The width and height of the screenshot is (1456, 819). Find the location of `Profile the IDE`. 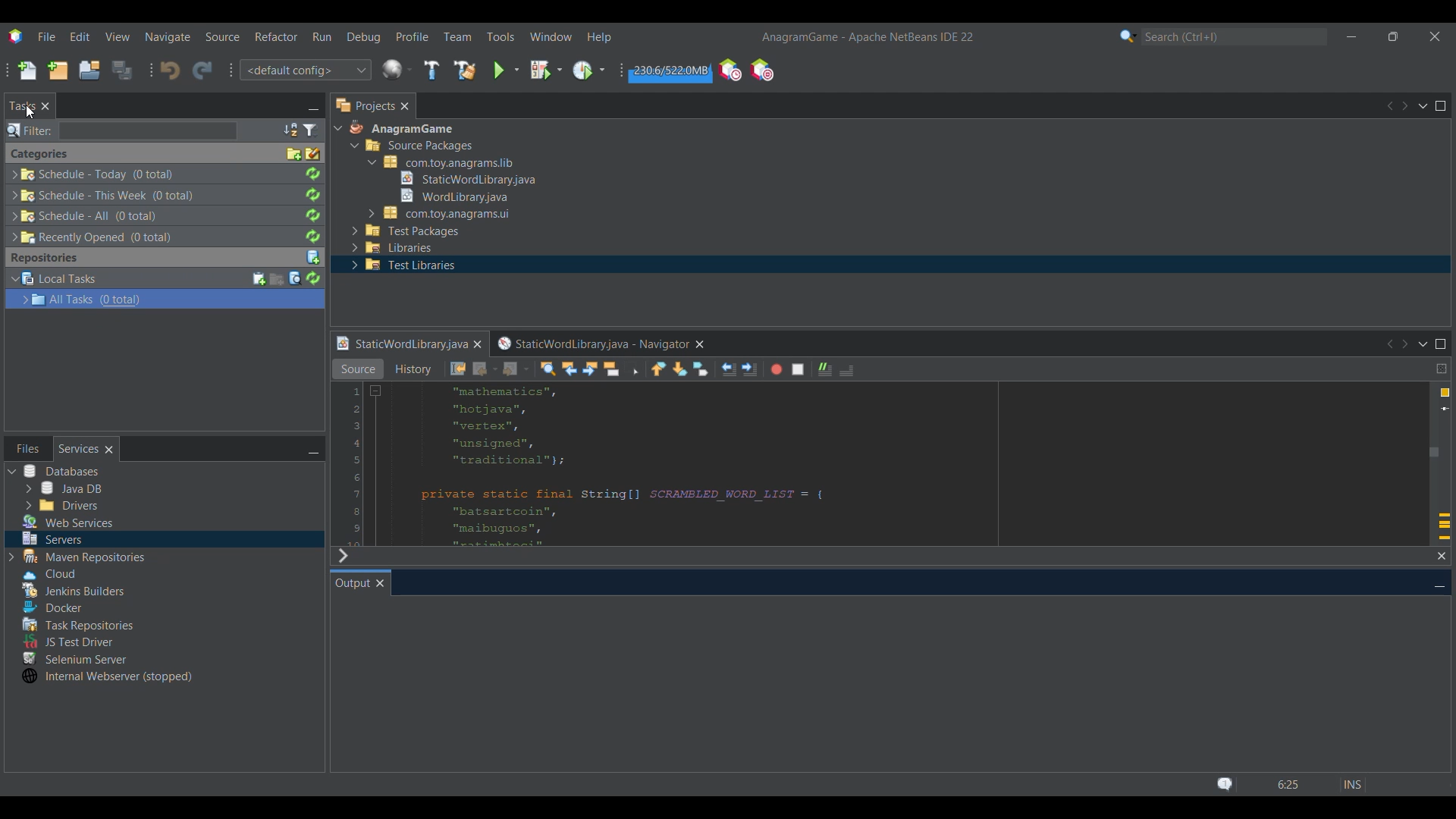

Profile the IDE is located at coordinates (730, 69).